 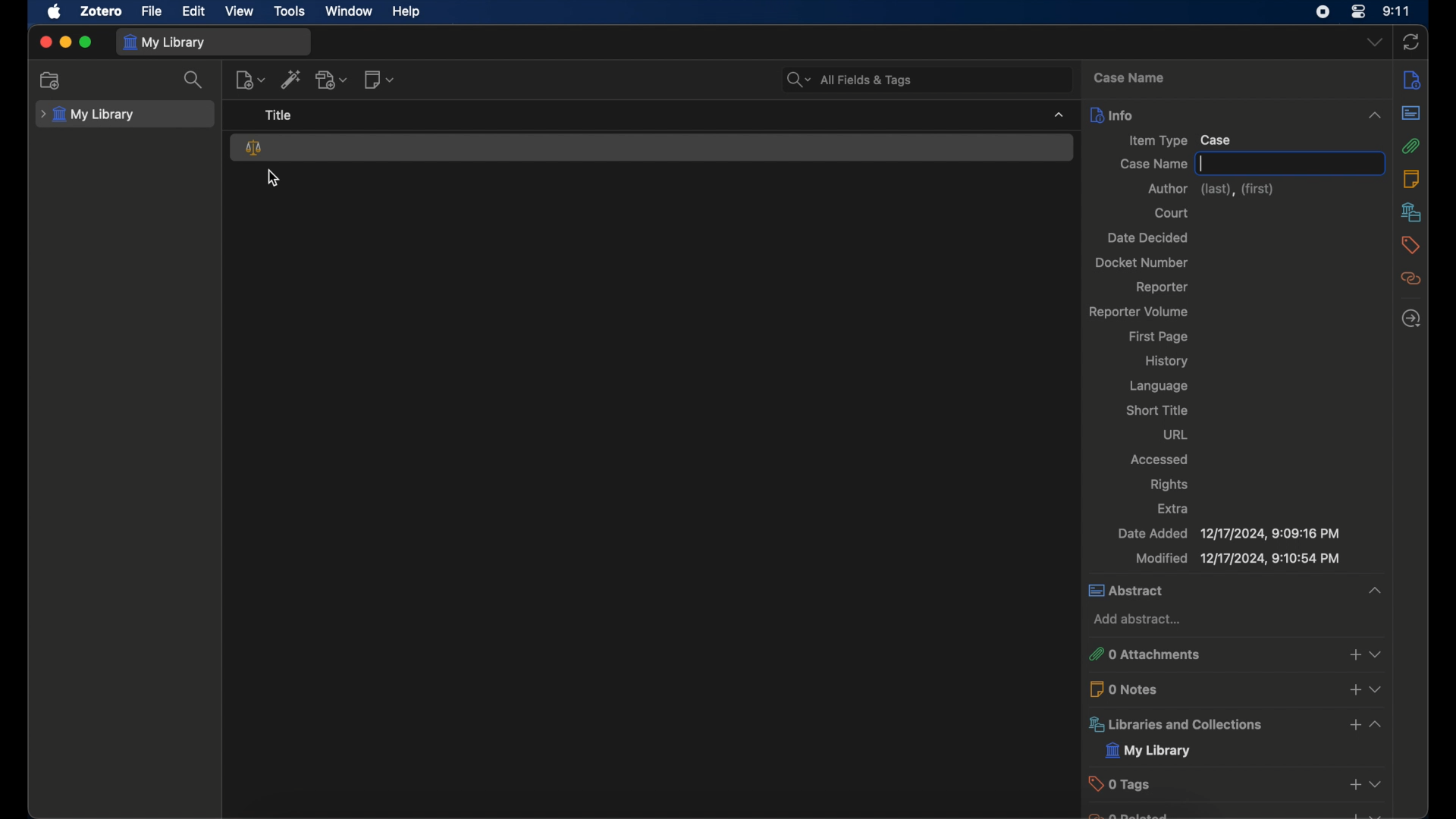 What do you see at coordinates (1323, 12) in the screenshot?
I see `screen recorder` at bounding box center [1323, 12].